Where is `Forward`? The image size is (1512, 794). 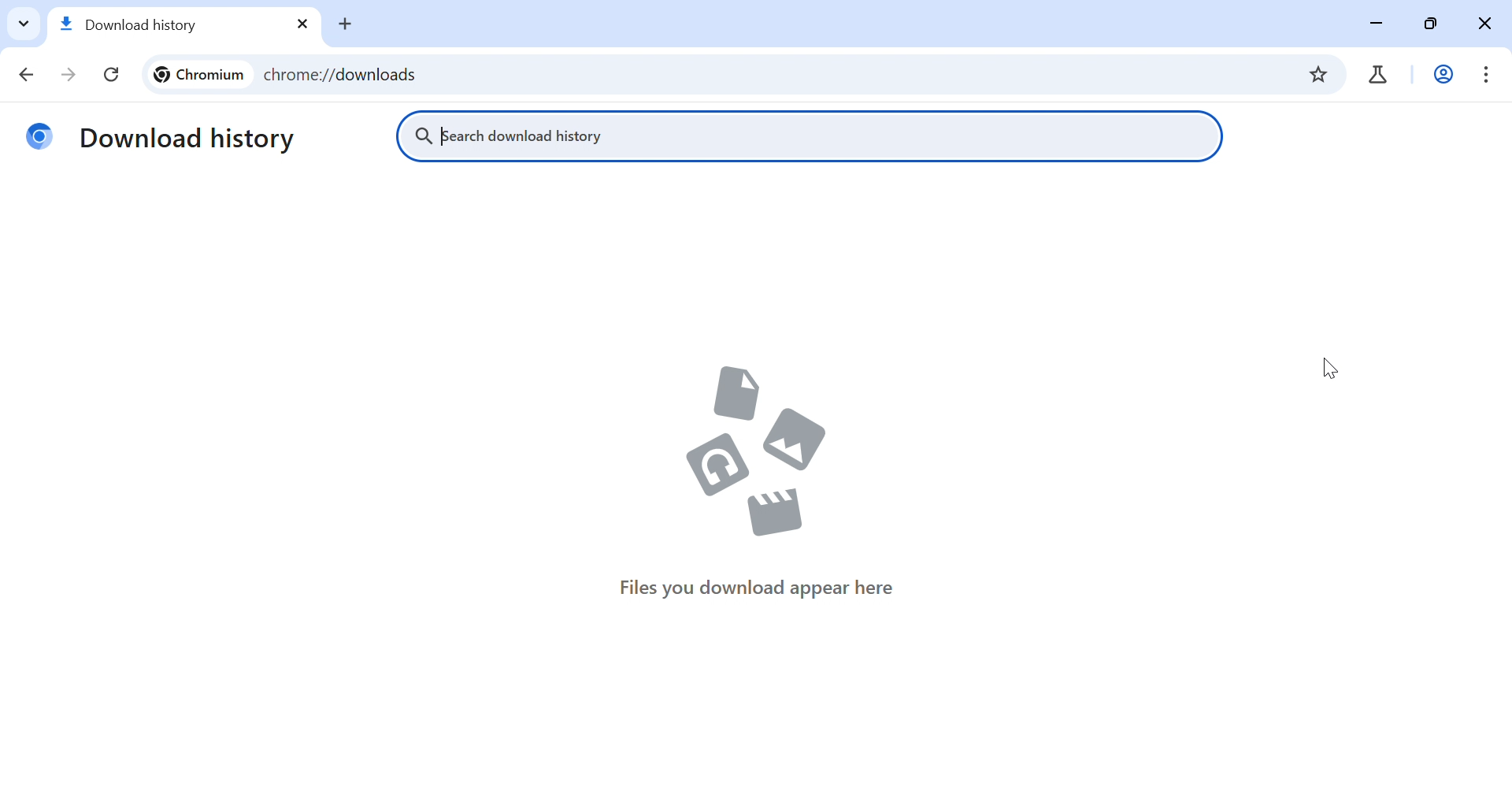 Forward is located at coordinates (68, 76).